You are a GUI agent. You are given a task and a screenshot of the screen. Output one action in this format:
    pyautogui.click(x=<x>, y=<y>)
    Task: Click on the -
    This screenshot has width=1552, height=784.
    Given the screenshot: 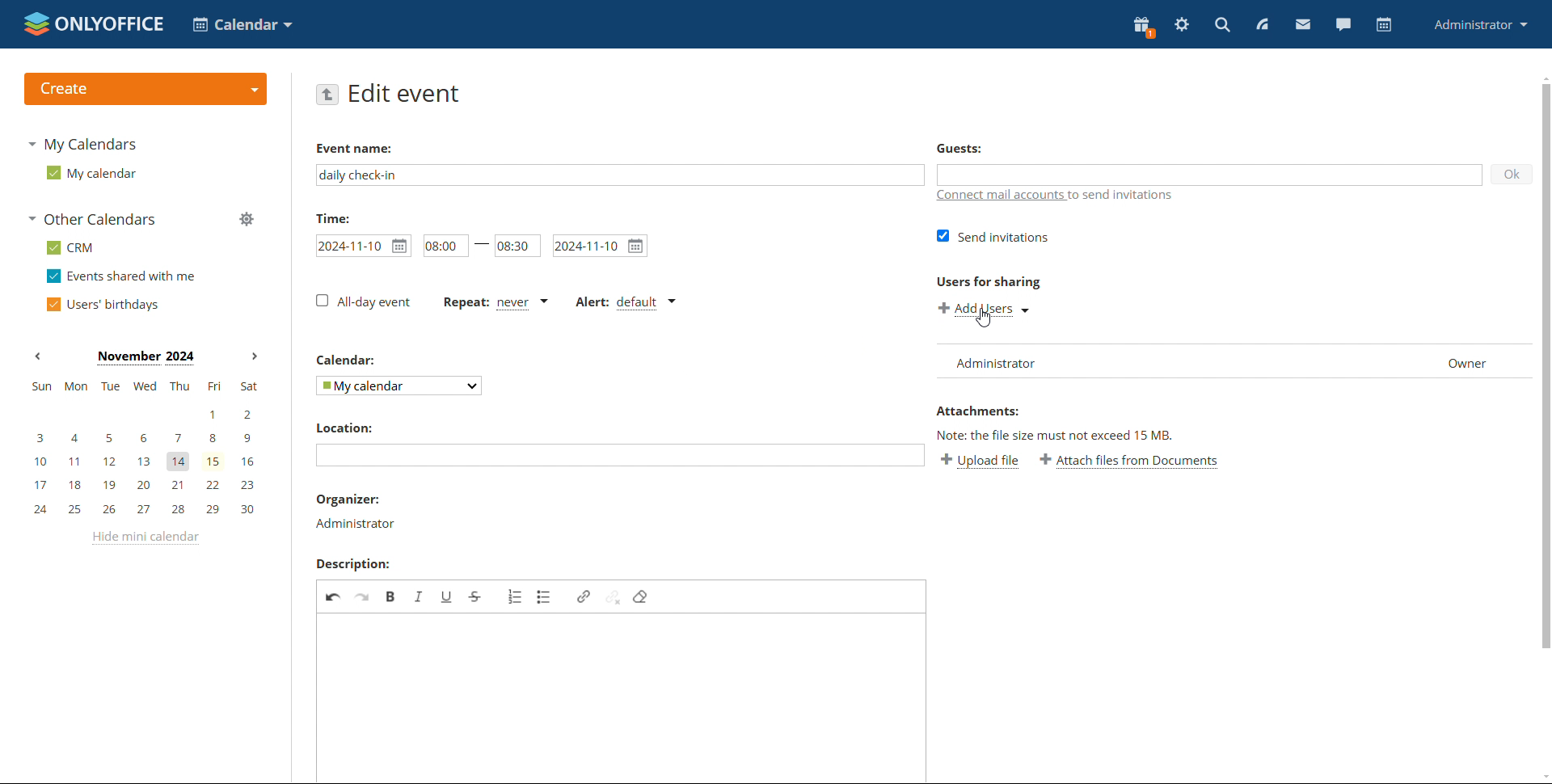 What is the action you would take?
    pyautogui.click(x=479, y=242)
    